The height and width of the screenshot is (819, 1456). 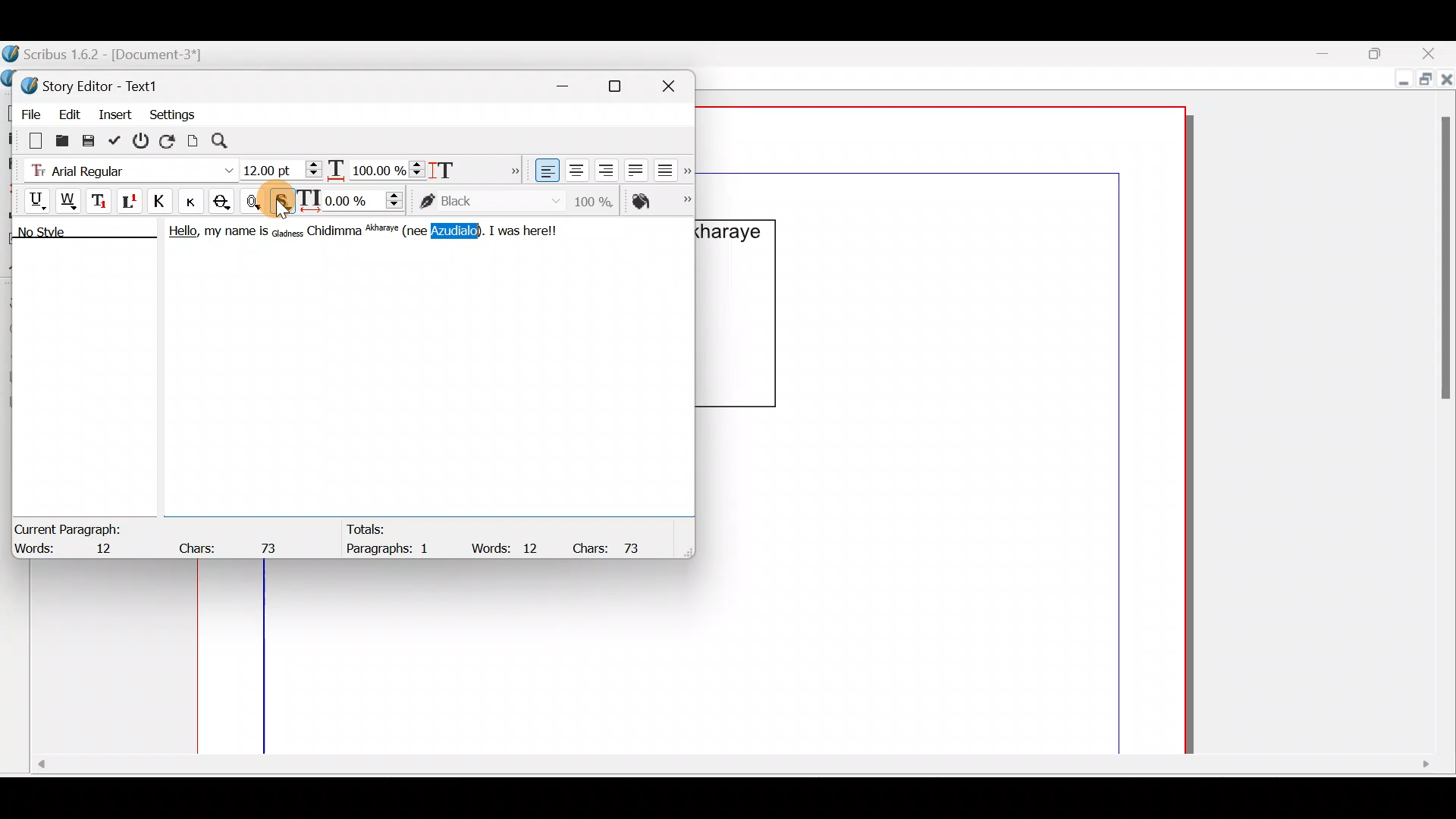 I want to click on Subscript, so click(x=101, y=199).